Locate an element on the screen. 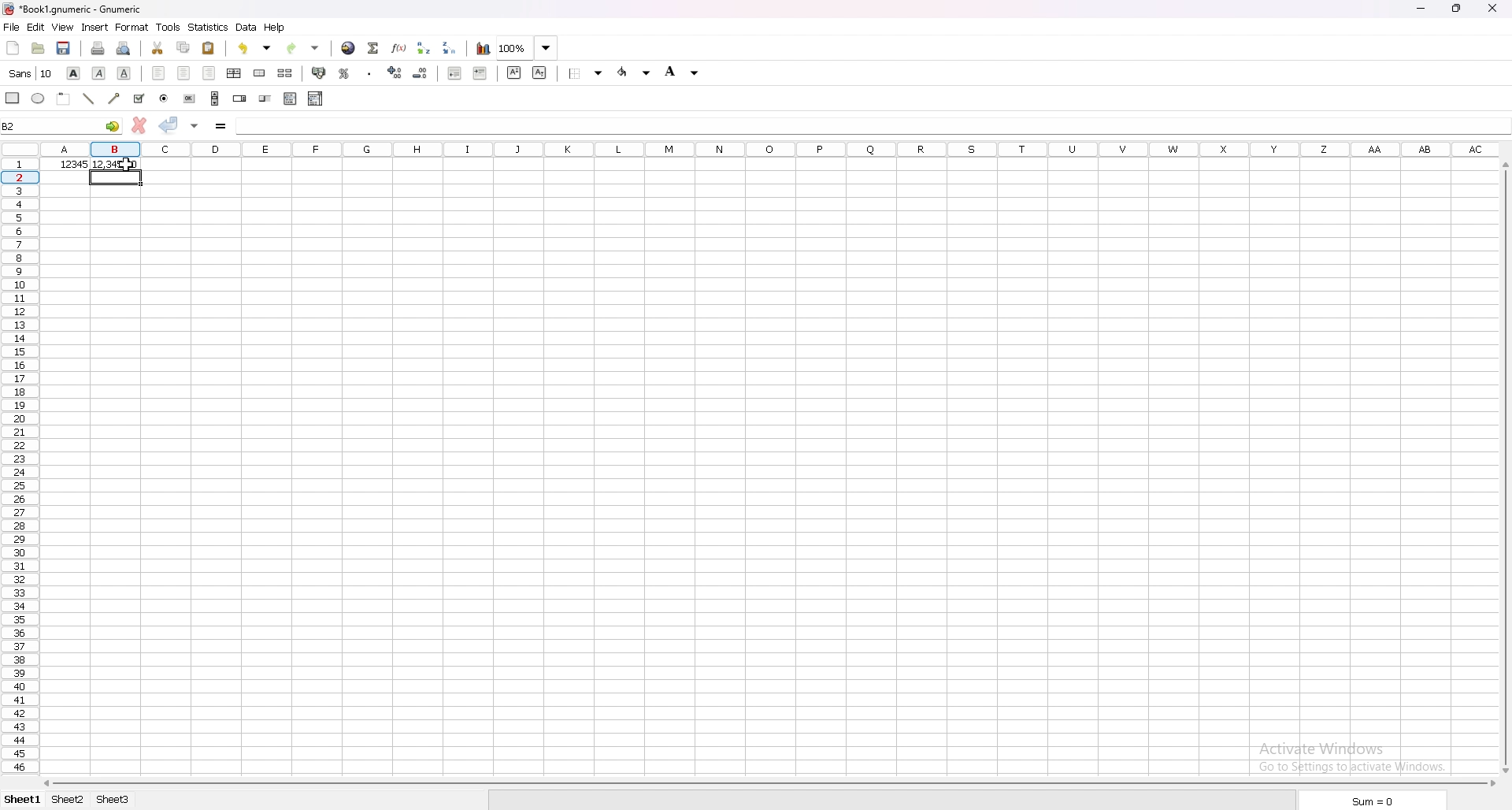  border is located at coordinates (586, 73).